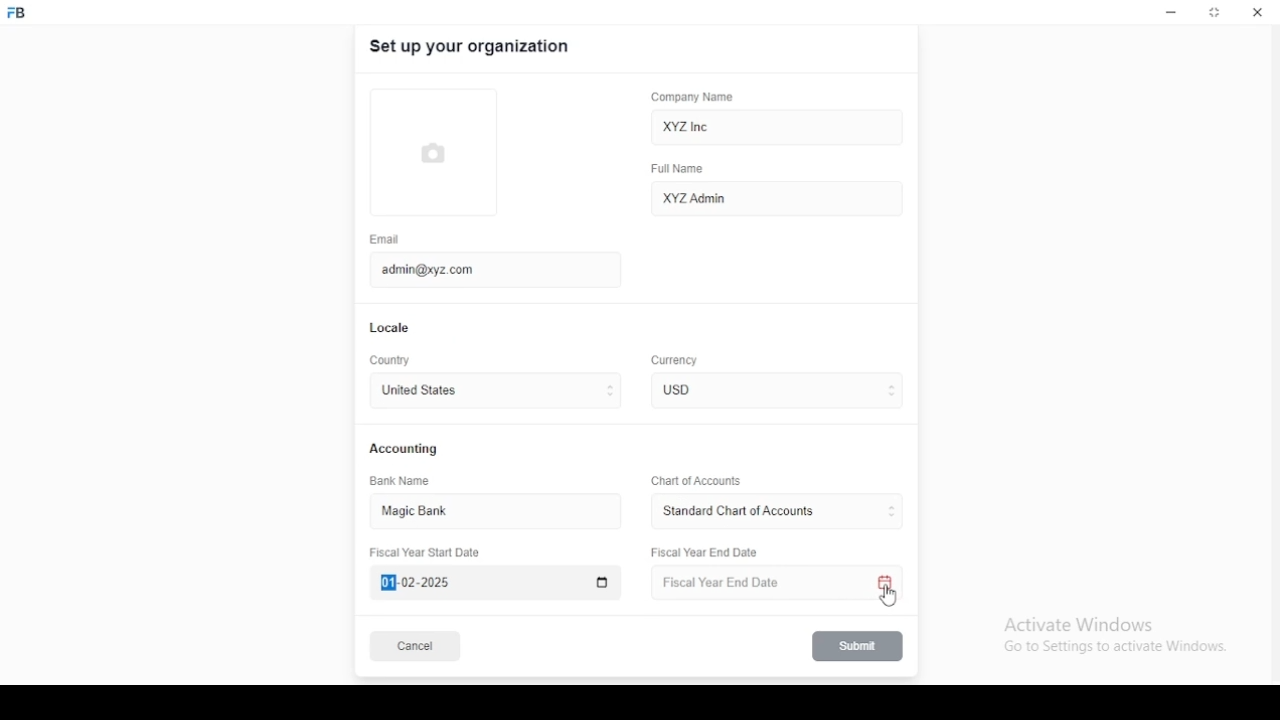  What do you see at coordinates (777, 197) in the screenshot?
I see `XYZ Admin` at bounding box center [777, 197].